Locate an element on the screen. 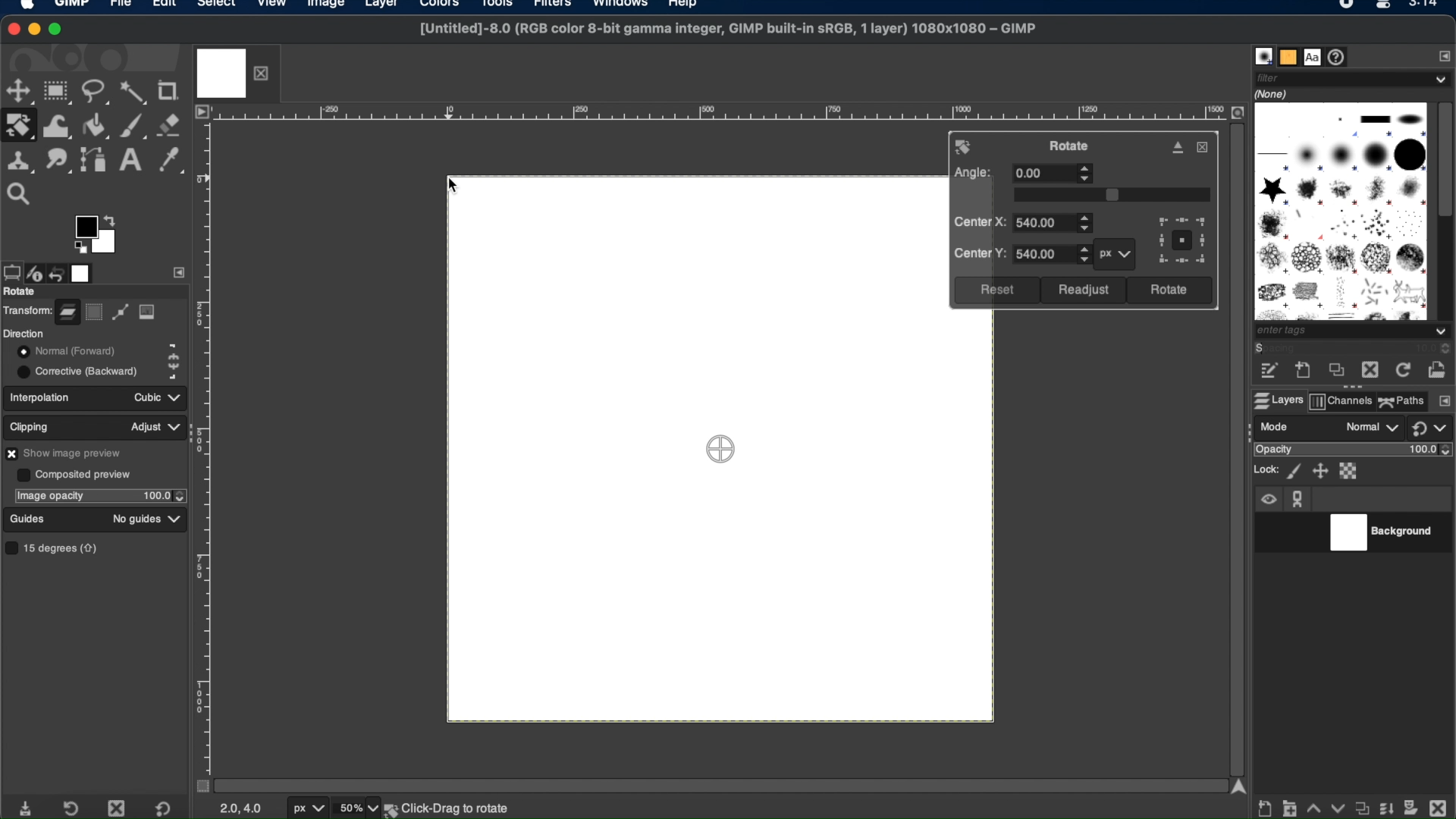  undo history is located at coordinates (58, 271).